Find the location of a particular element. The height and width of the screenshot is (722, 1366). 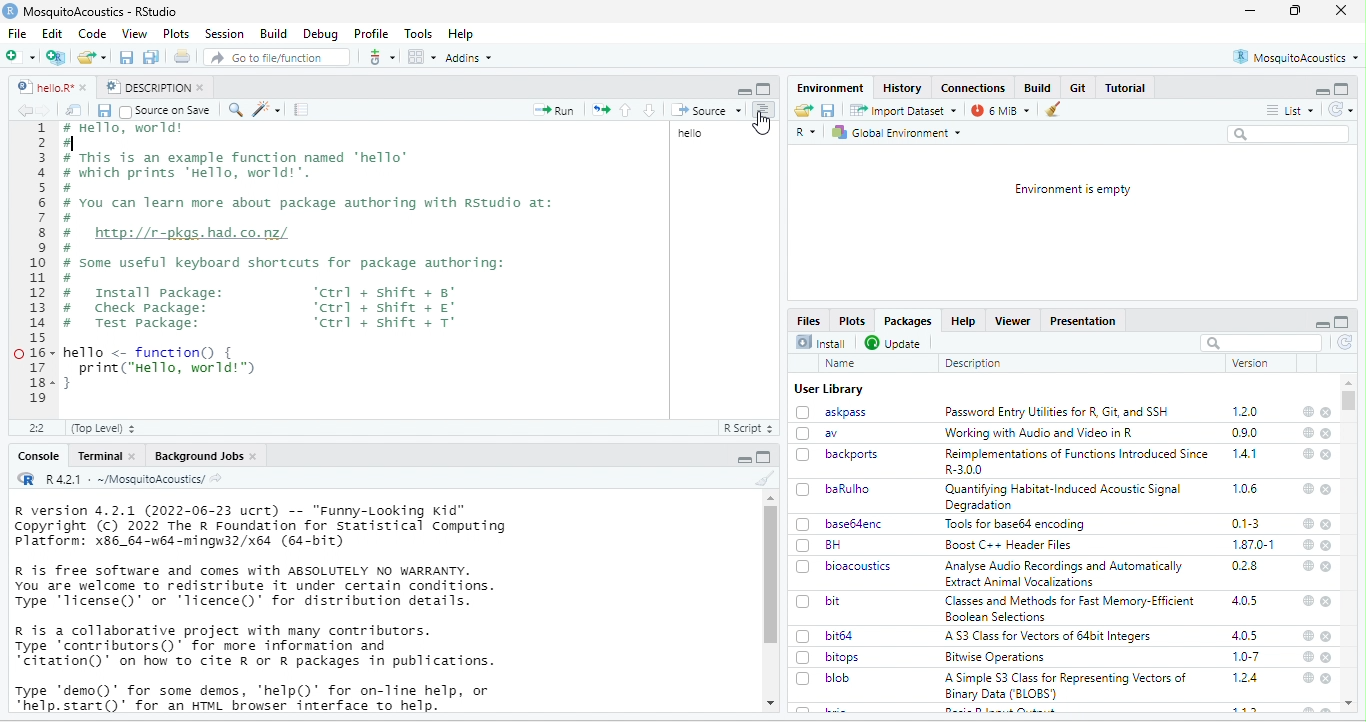

Load workspace is located at coordinates (803, 110).